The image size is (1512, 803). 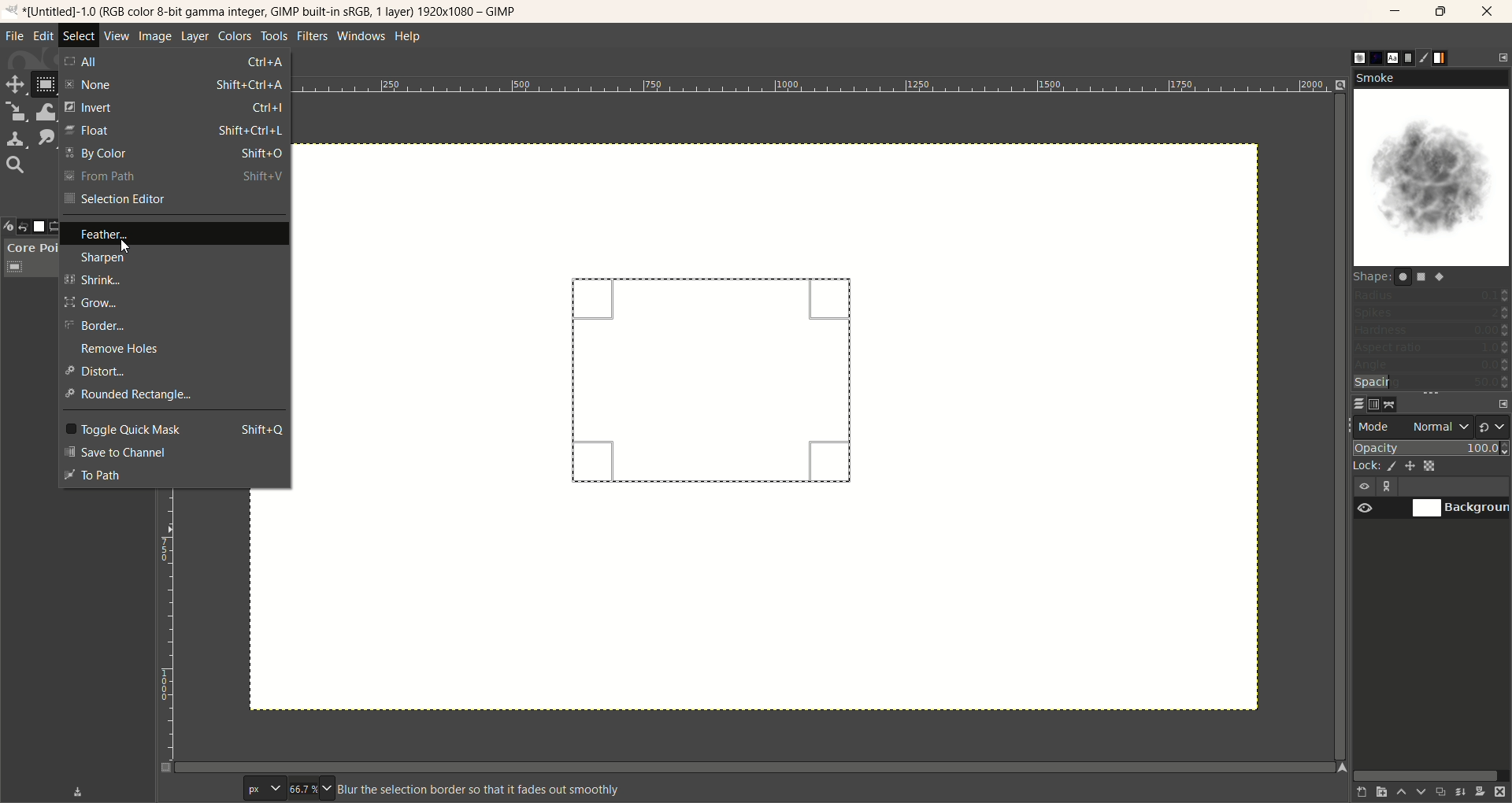 What do you see at coordinates (1366, 509) in the screenshot?
I see `visibility` at bounding box center [1366, 509].